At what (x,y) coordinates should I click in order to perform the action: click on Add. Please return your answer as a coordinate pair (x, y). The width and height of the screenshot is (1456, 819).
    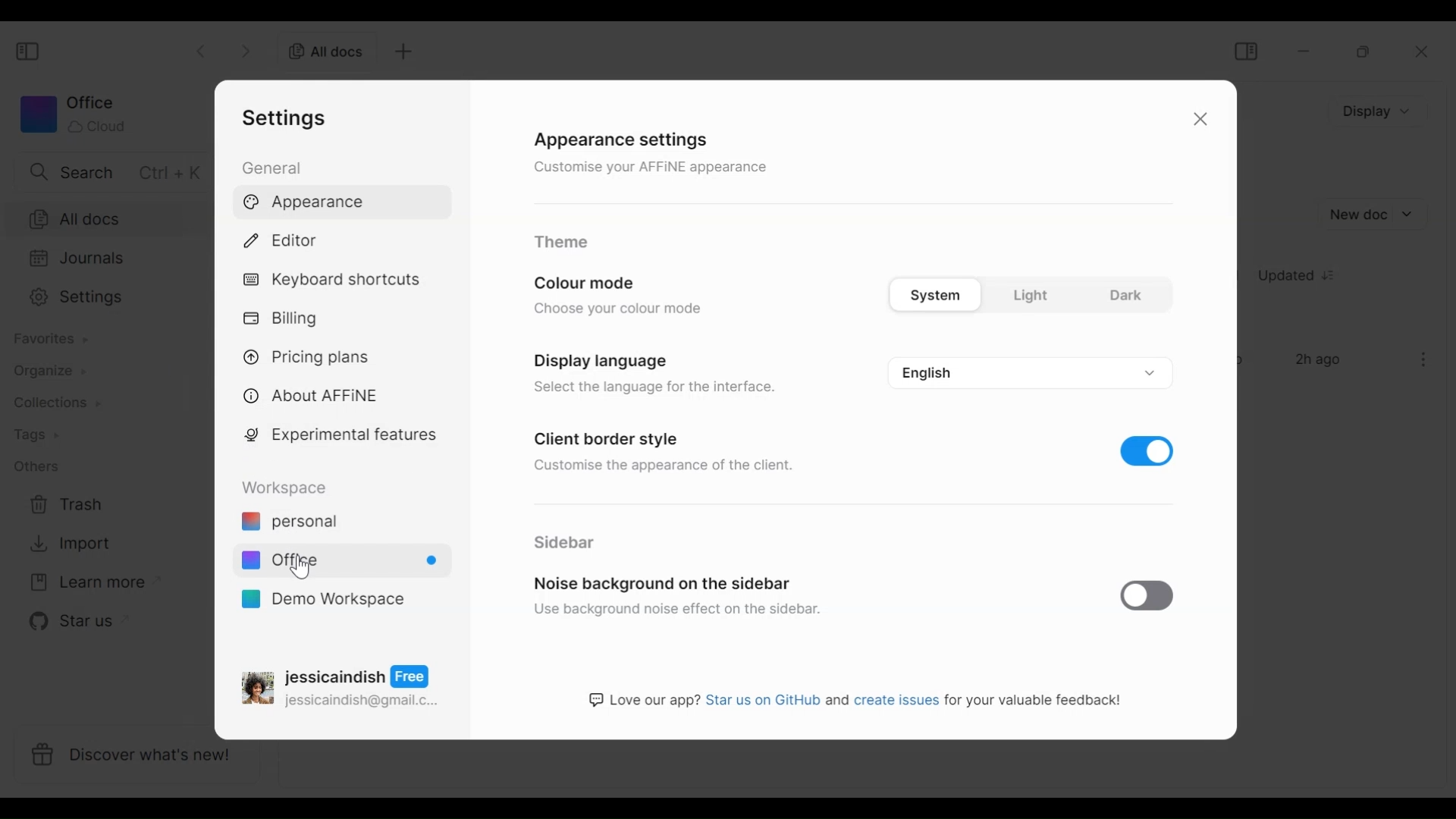
    Looking at the image, I should click on (401, 52).